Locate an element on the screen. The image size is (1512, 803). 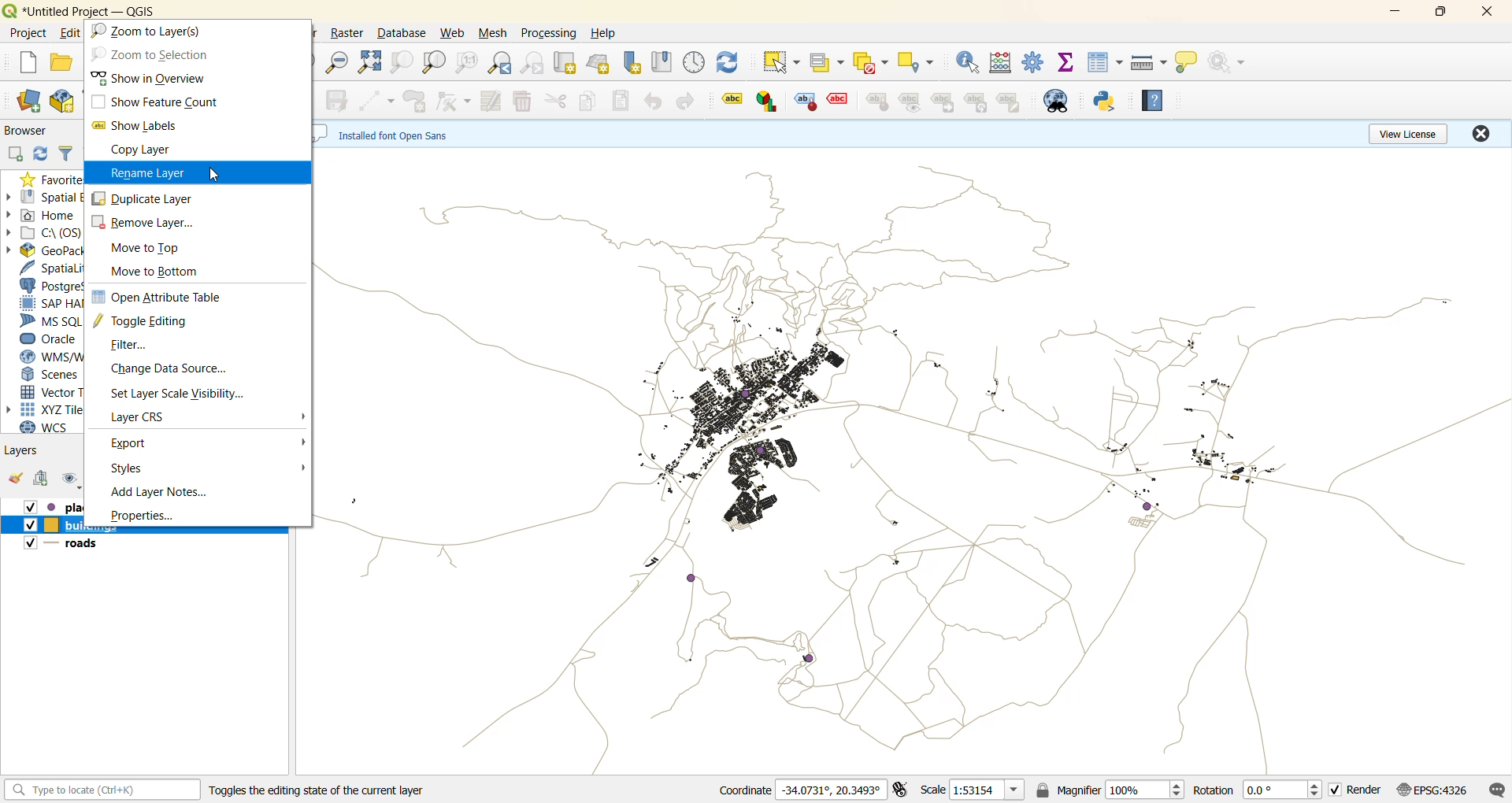
maximize is located at coordinates (1440, 13).